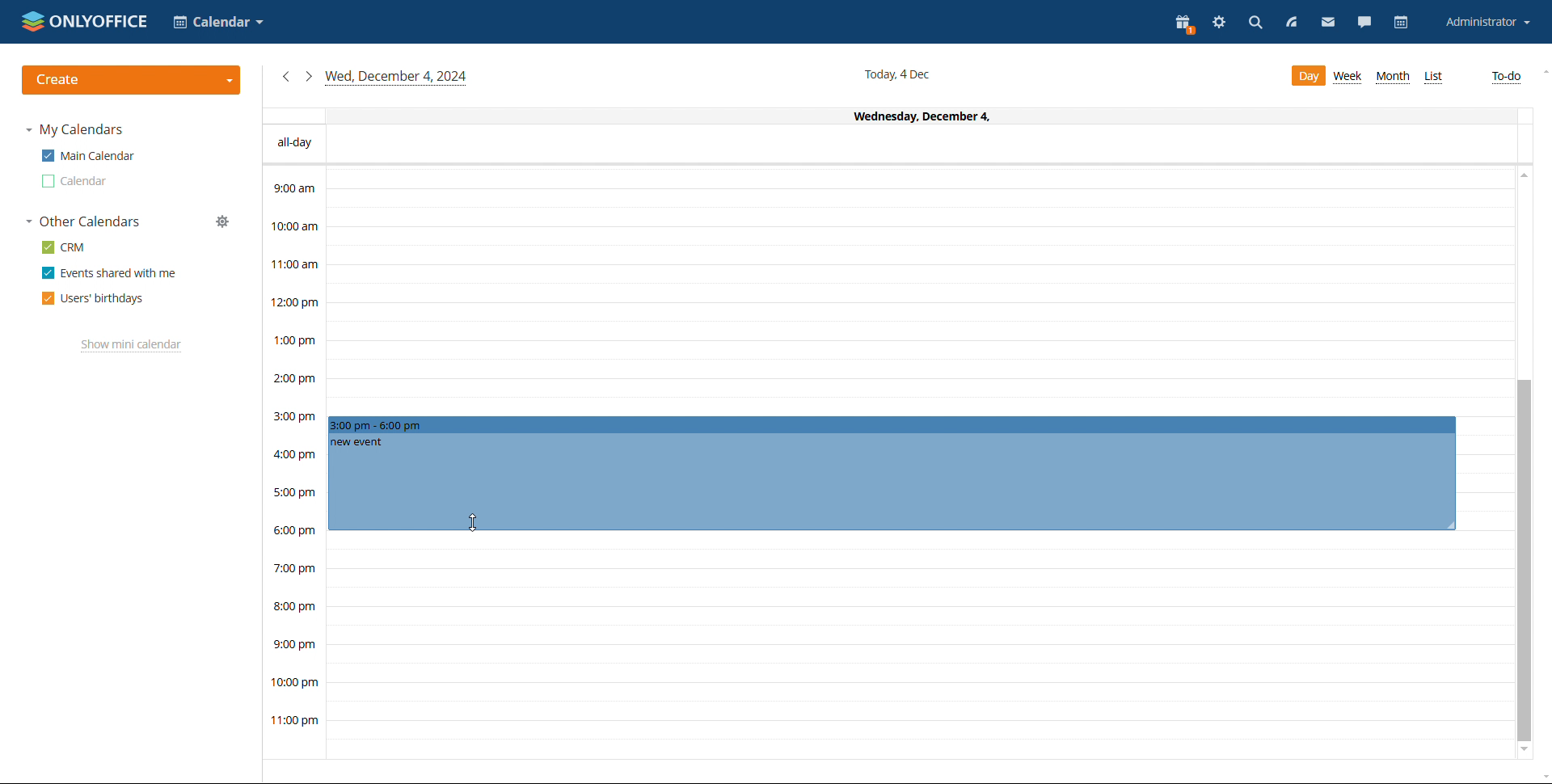 This screenshot has width=1552, height=784. Describe the element at coordinates (1525, 752) in the screenshot. I see `scroll down` at that location.